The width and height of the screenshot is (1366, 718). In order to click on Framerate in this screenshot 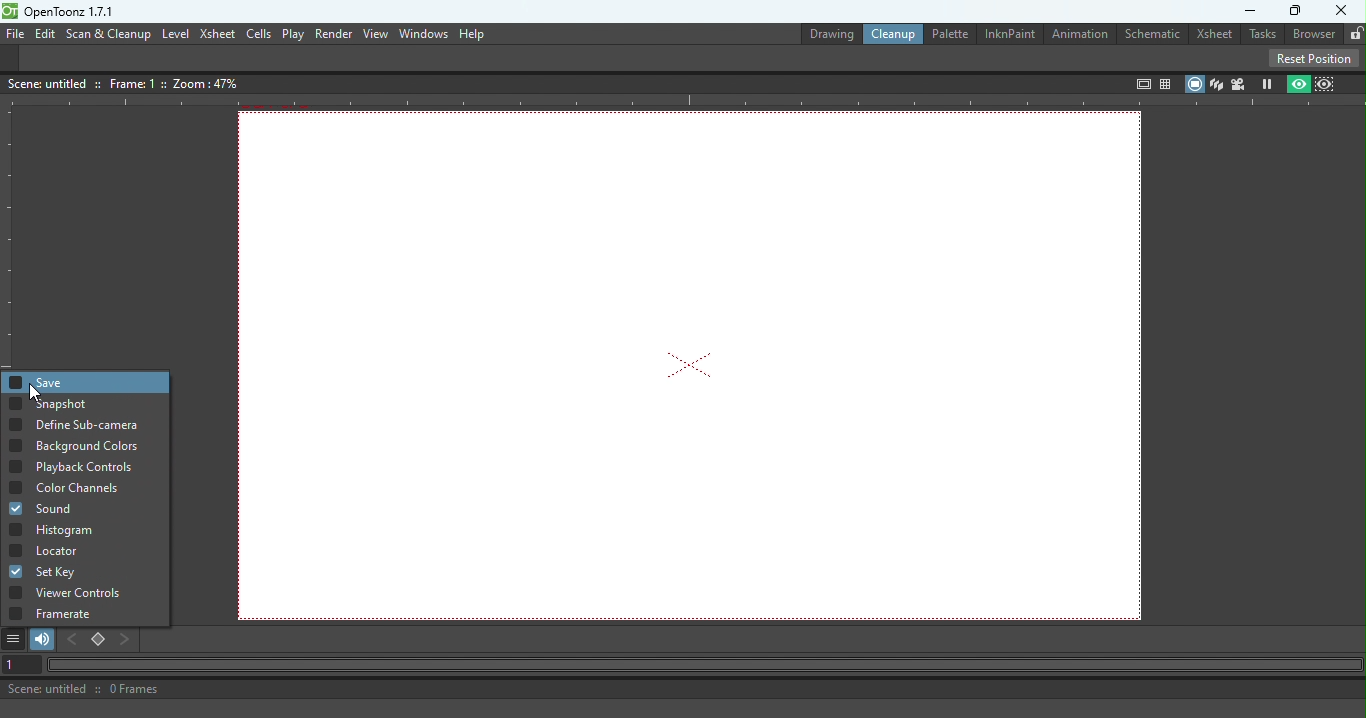, I will do `click(88, 614)`.